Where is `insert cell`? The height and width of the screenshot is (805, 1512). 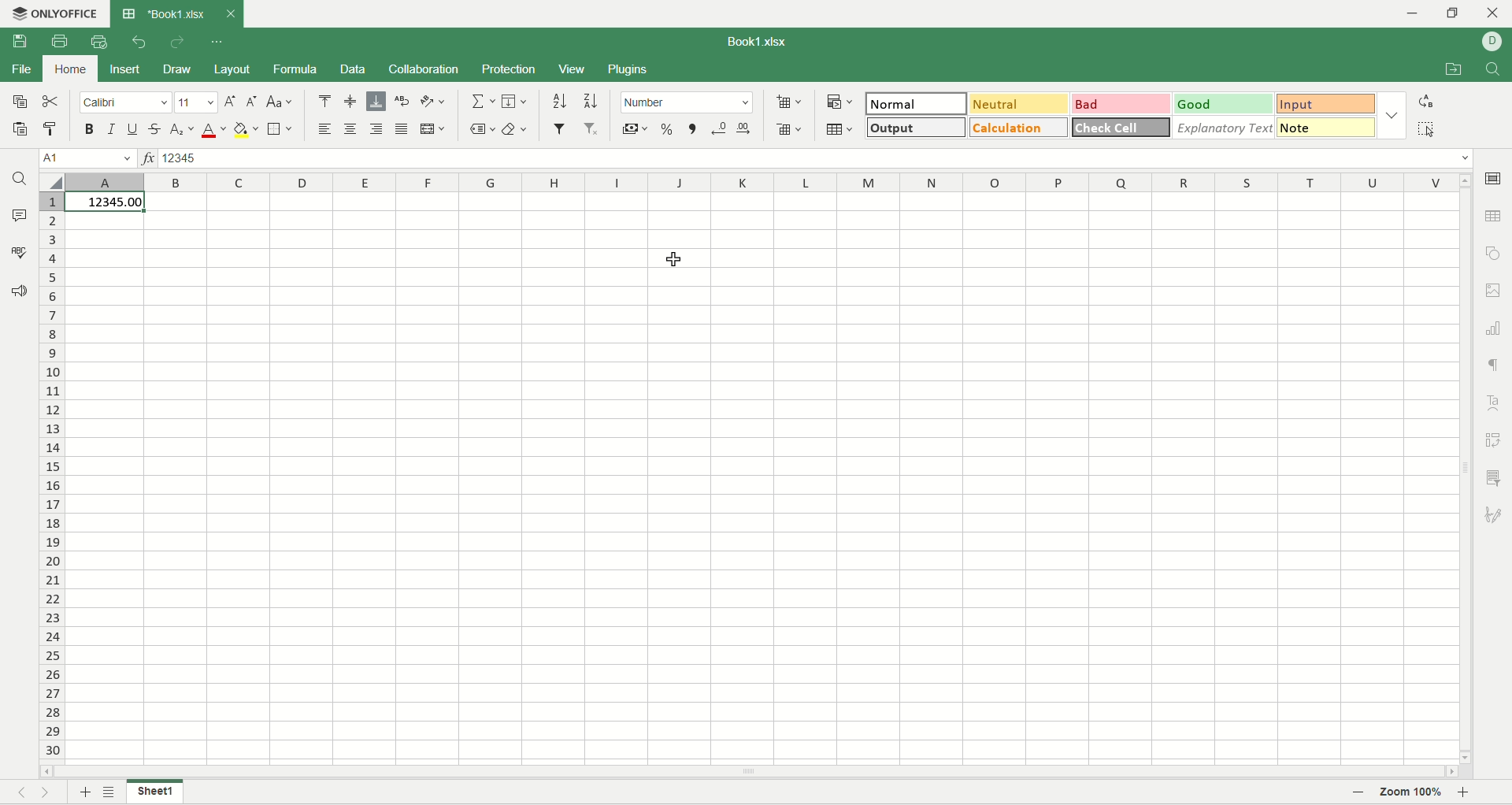 insert cell is located at coordinates (789, 102).